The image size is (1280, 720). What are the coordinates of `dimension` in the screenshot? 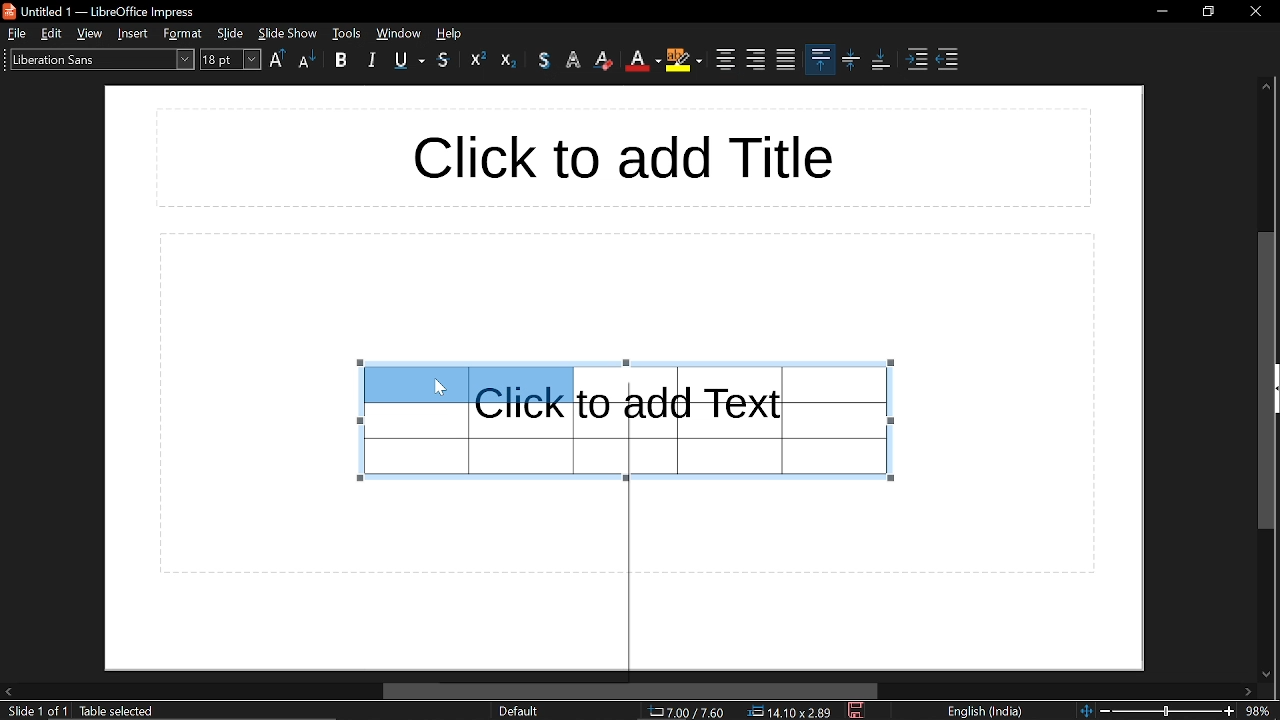 It's located at (790, 712).